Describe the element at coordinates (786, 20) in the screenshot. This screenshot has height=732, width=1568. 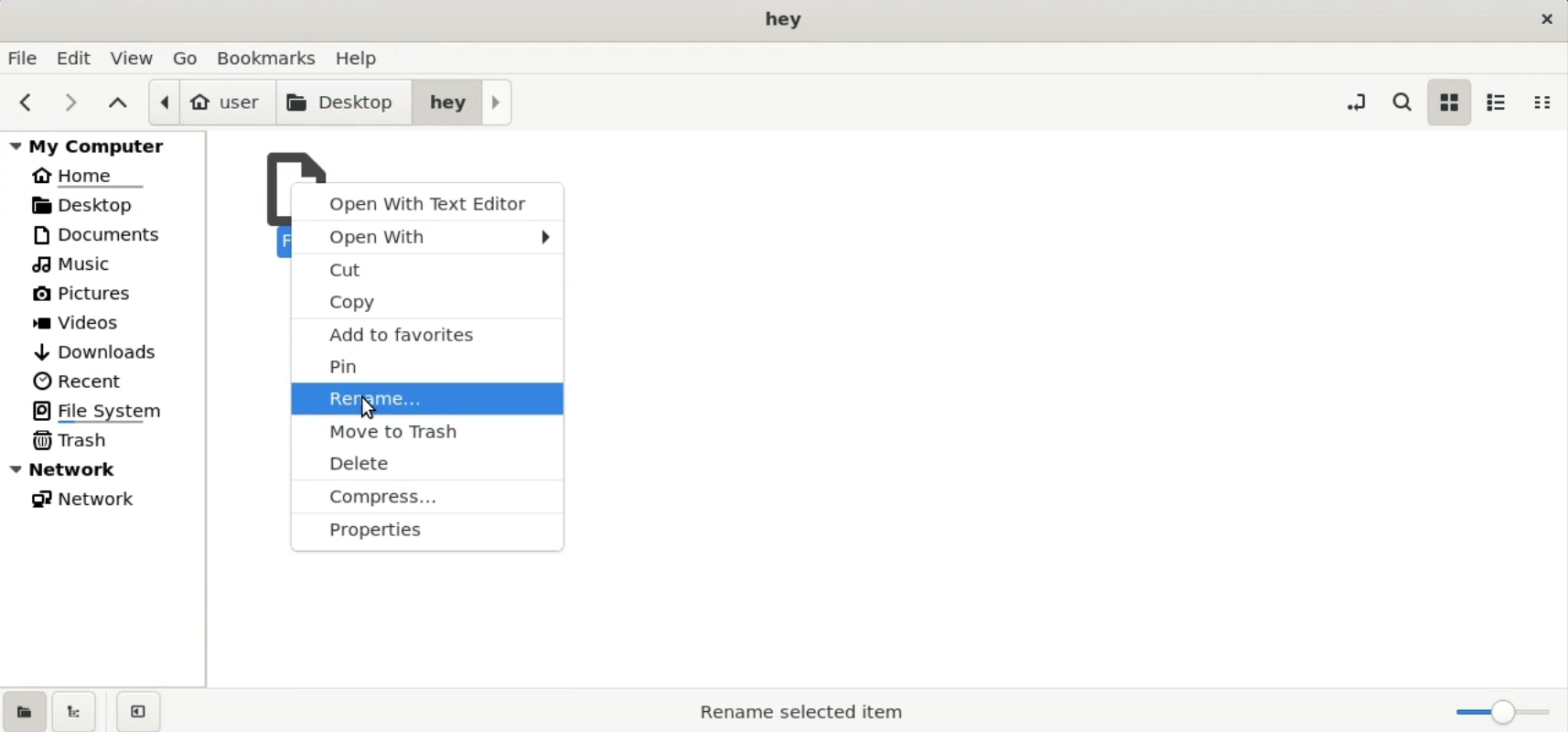
I see `title` at that location.